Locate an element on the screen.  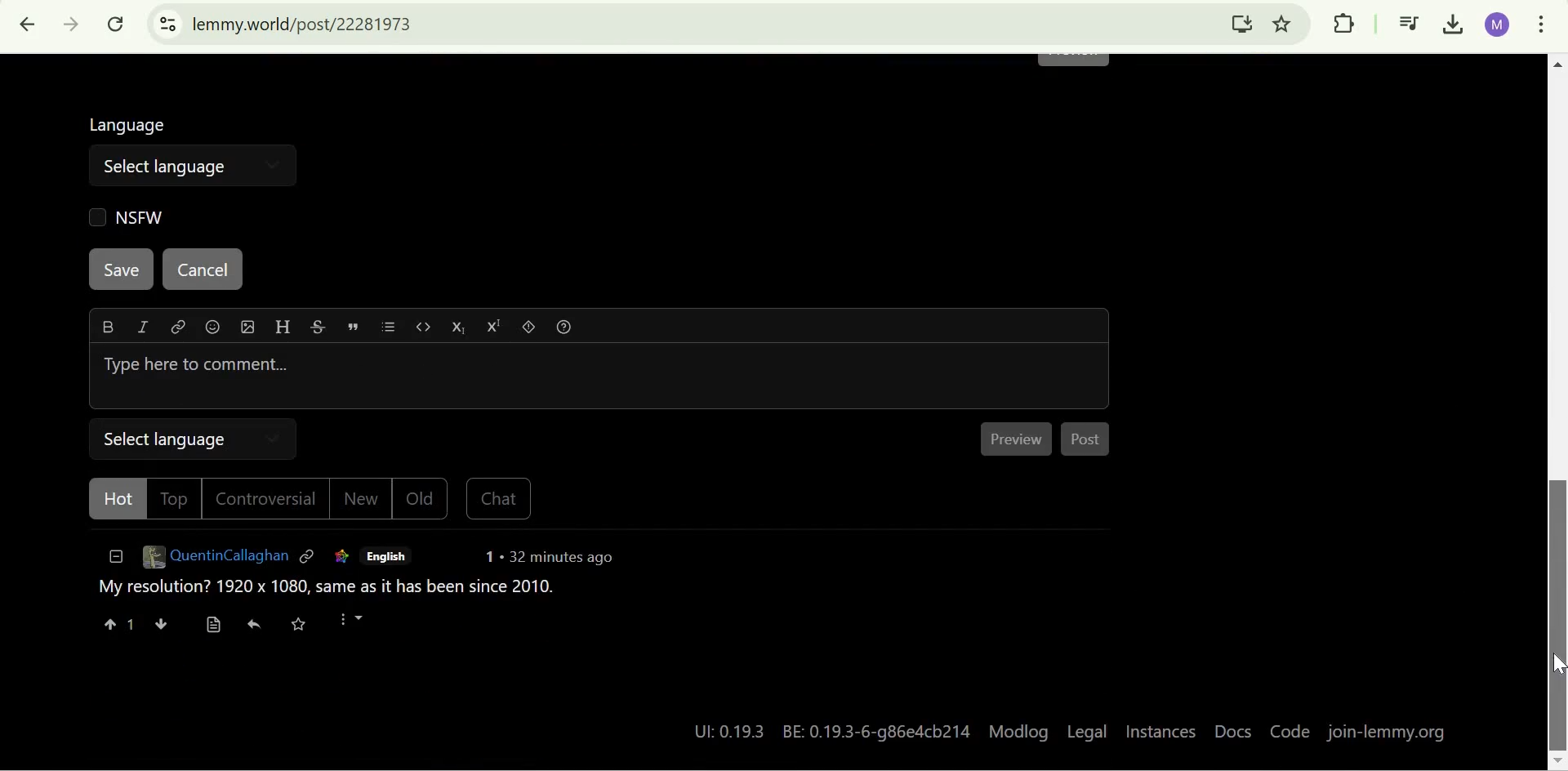
Legal is located at coordinates (1087, 730).